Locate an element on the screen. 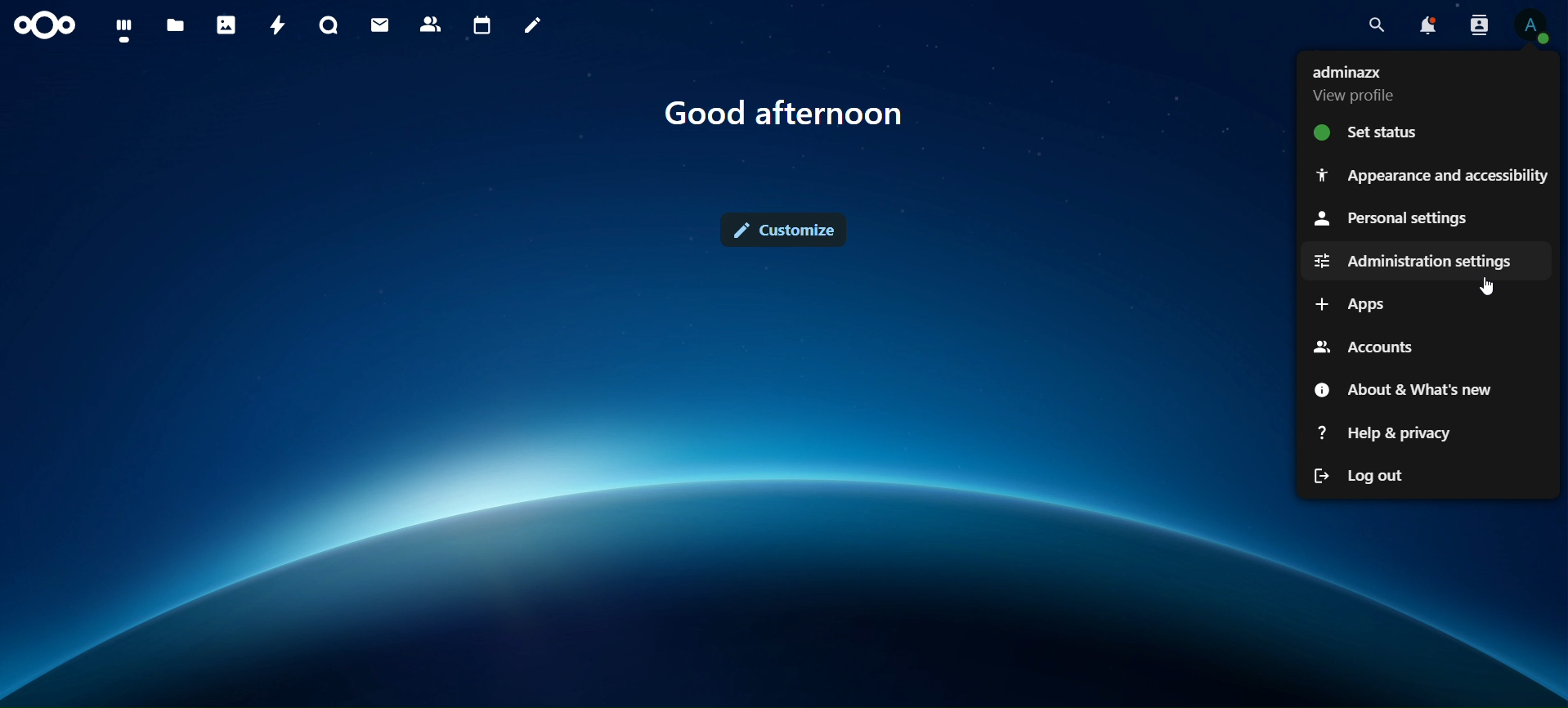 Image resolution: width=1568 pixels, height=708 pixels. notes is located at coordinates (531, 25).